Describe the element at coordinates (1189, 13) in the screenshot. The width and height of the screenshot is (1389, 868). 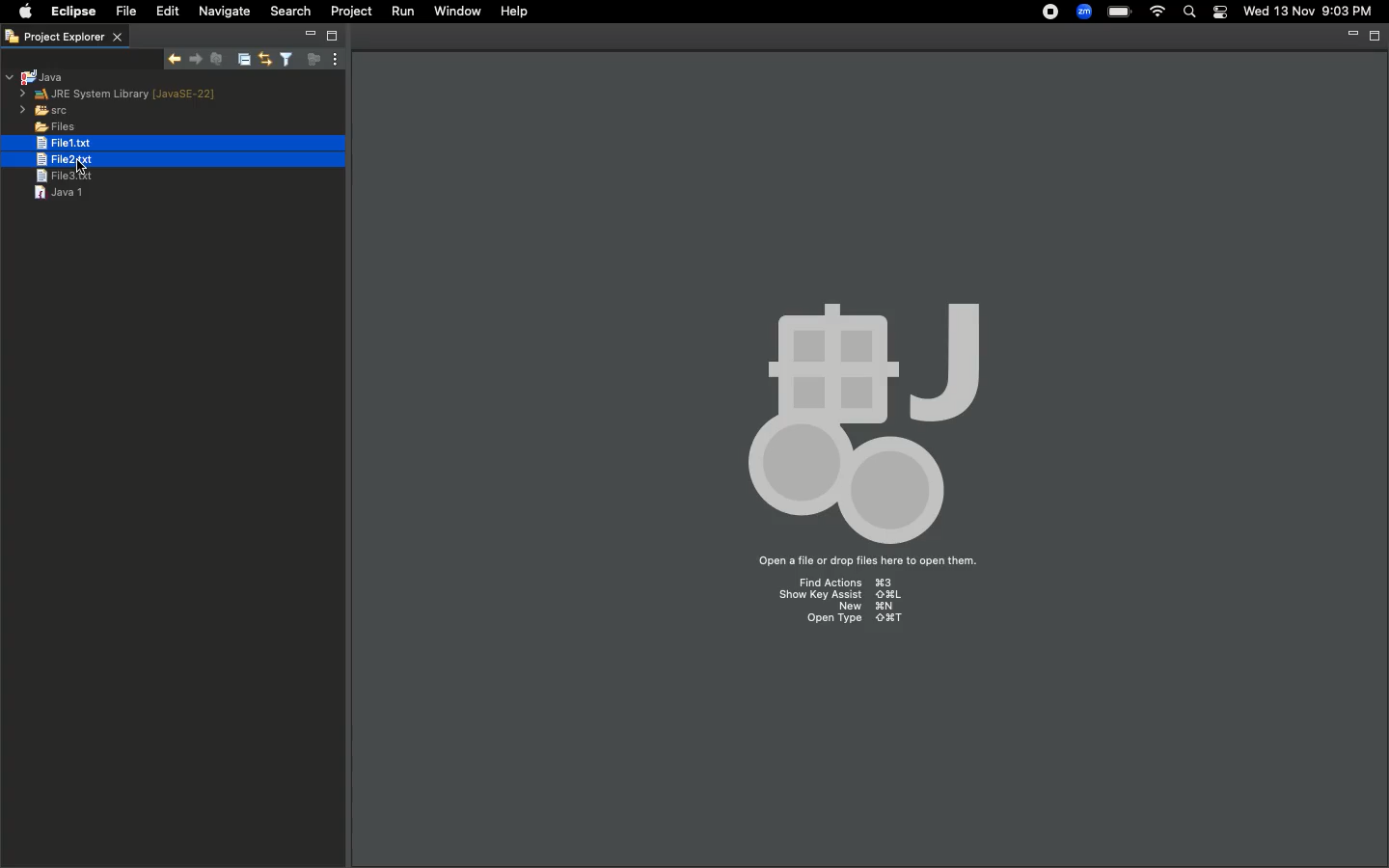
I see `Search` at that location.